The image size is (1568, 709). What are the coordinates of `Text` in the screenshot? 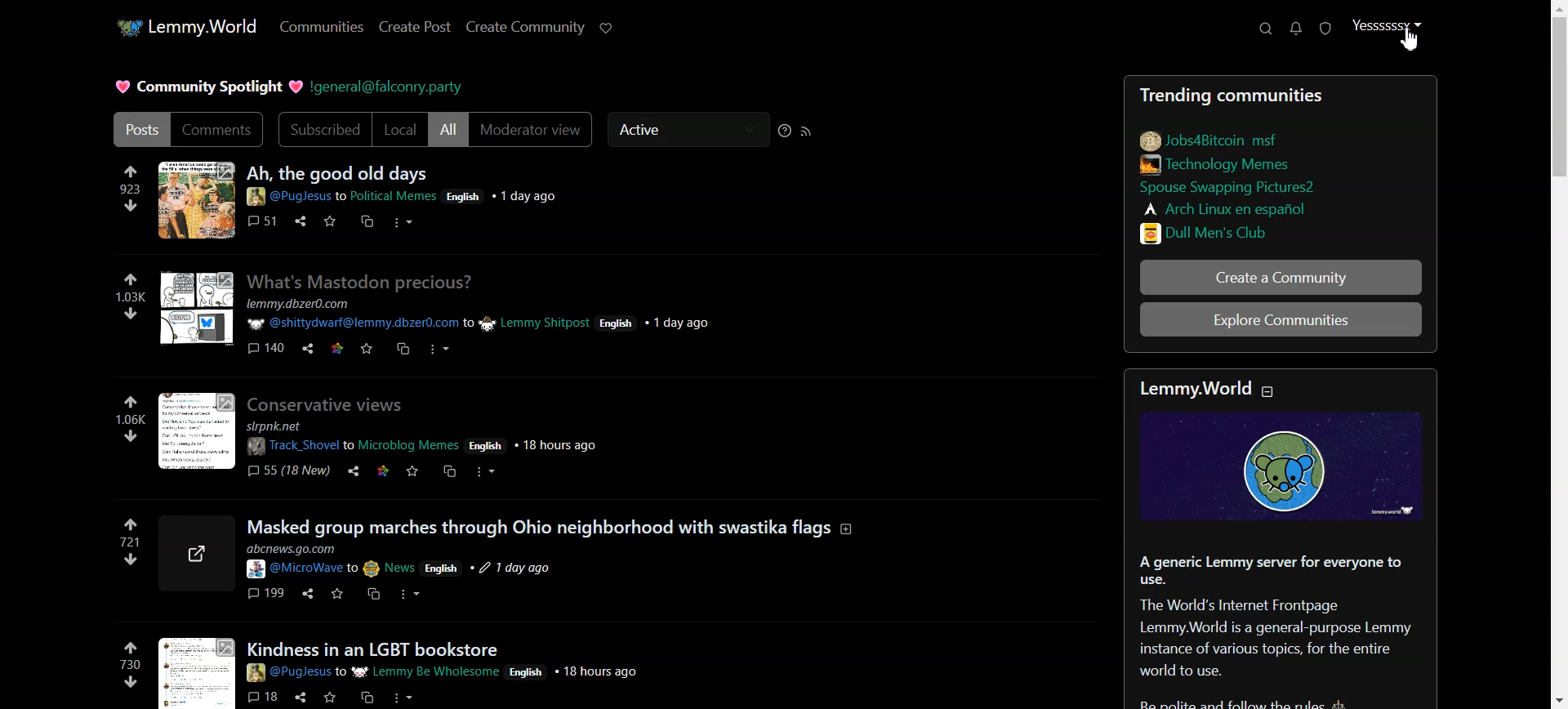 It's located at (1279, 95).